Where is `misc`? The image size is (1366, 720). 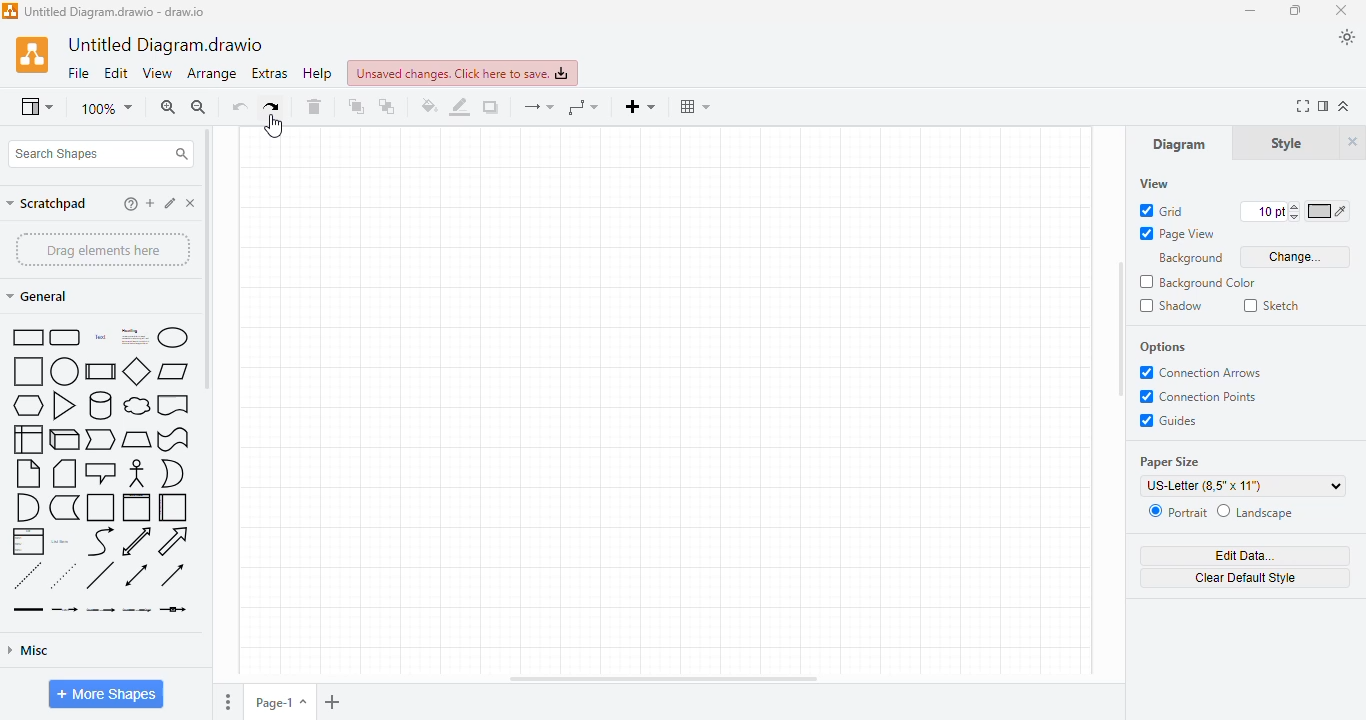
misc is located at coordinates (28, 650).